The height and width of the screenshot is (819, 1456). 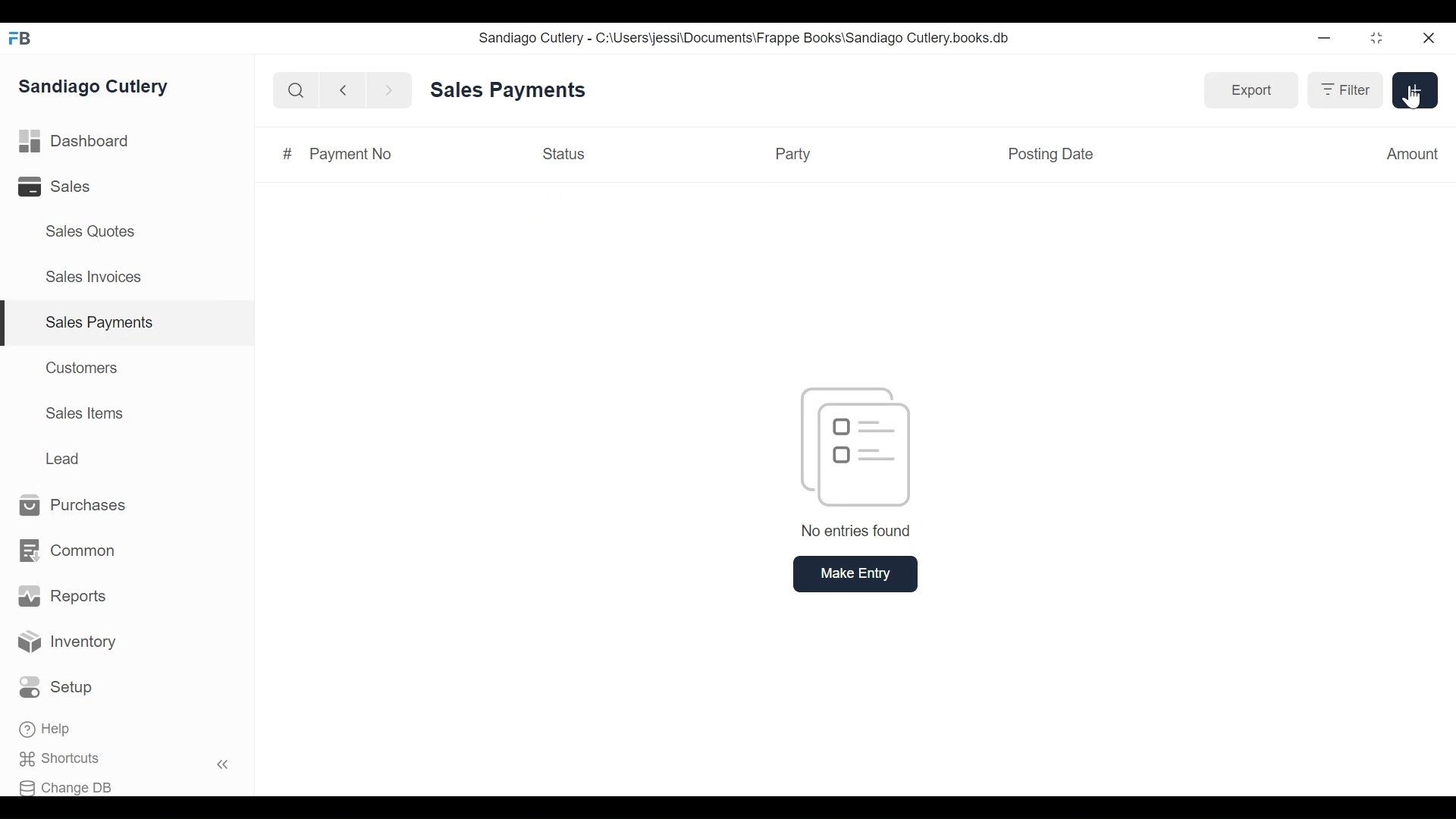 I want to click on Payment No, so click(x=353, y=155).